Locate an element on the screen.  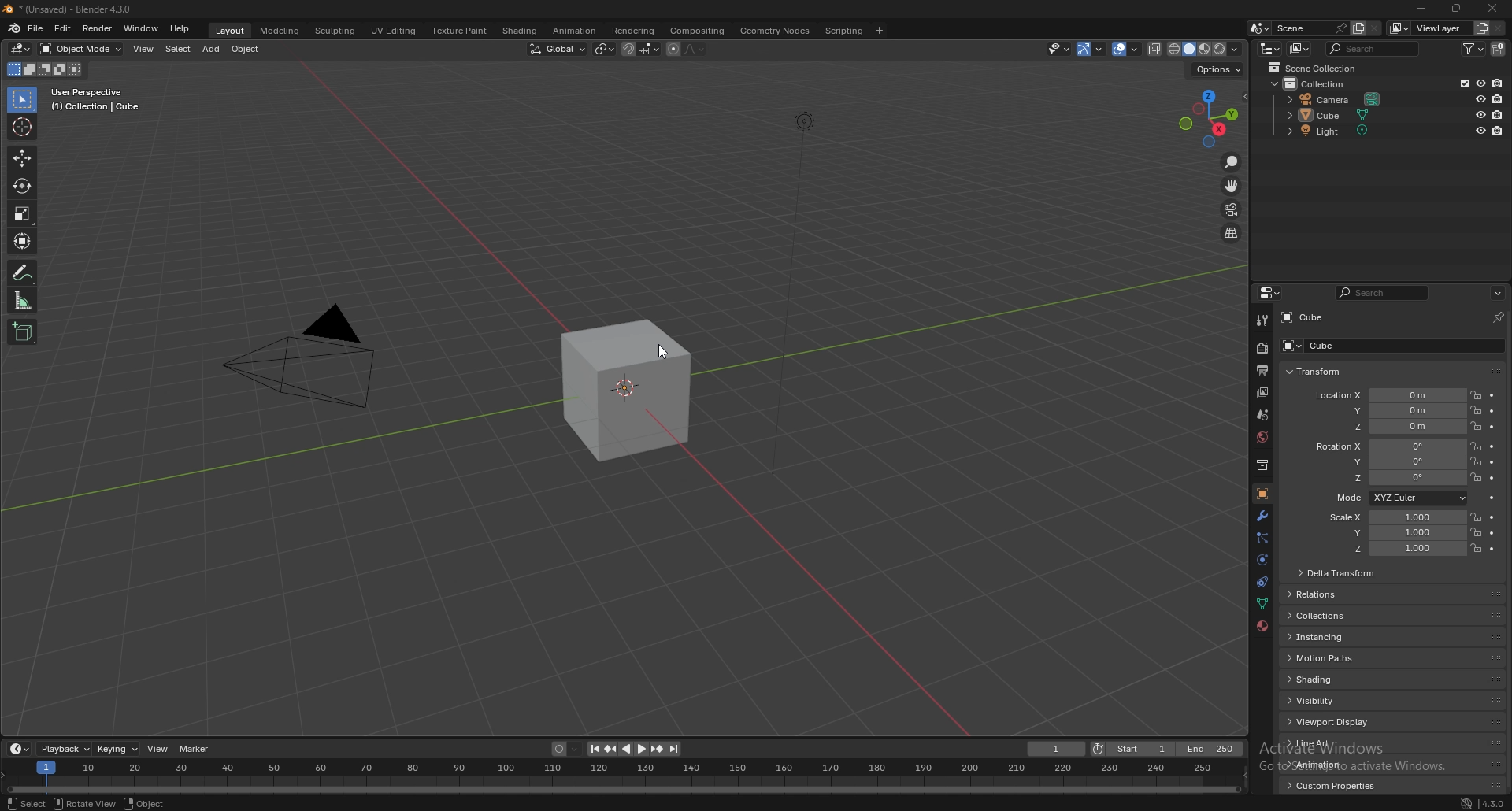
collection is located at coordinates (1262, 464).